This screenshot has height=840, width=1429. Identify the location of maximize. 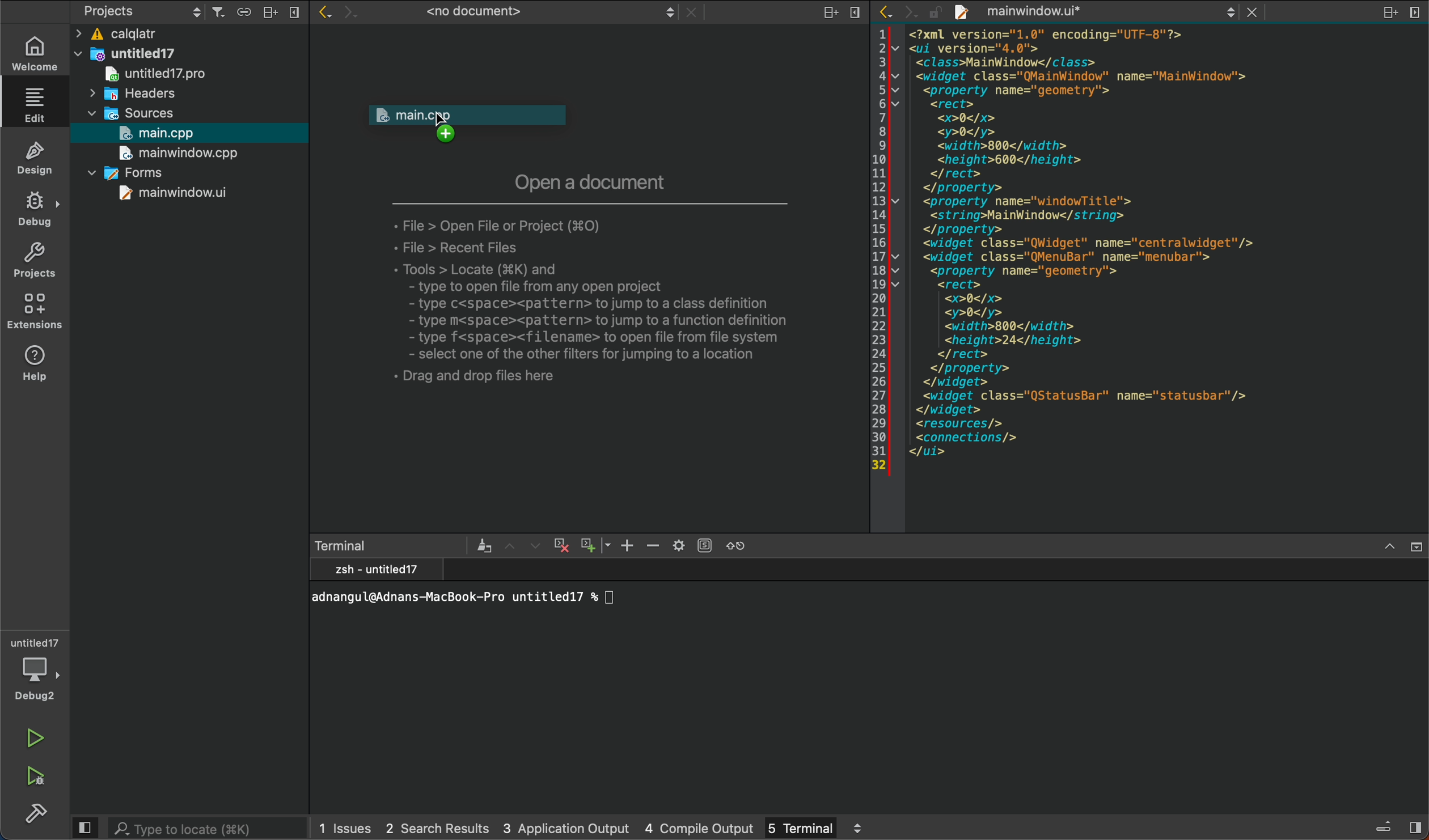
(1389, 548).